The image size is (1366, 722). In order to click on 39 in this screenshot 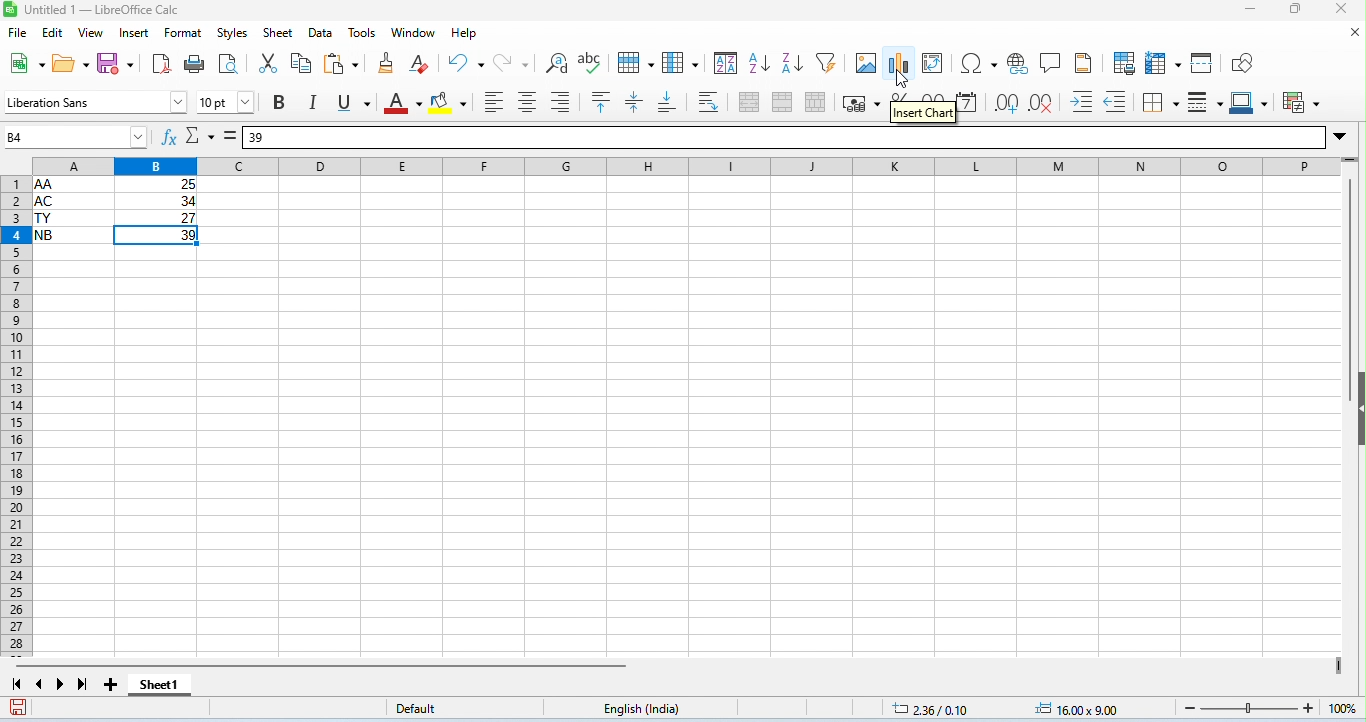, I will do `click(258, 138)`.